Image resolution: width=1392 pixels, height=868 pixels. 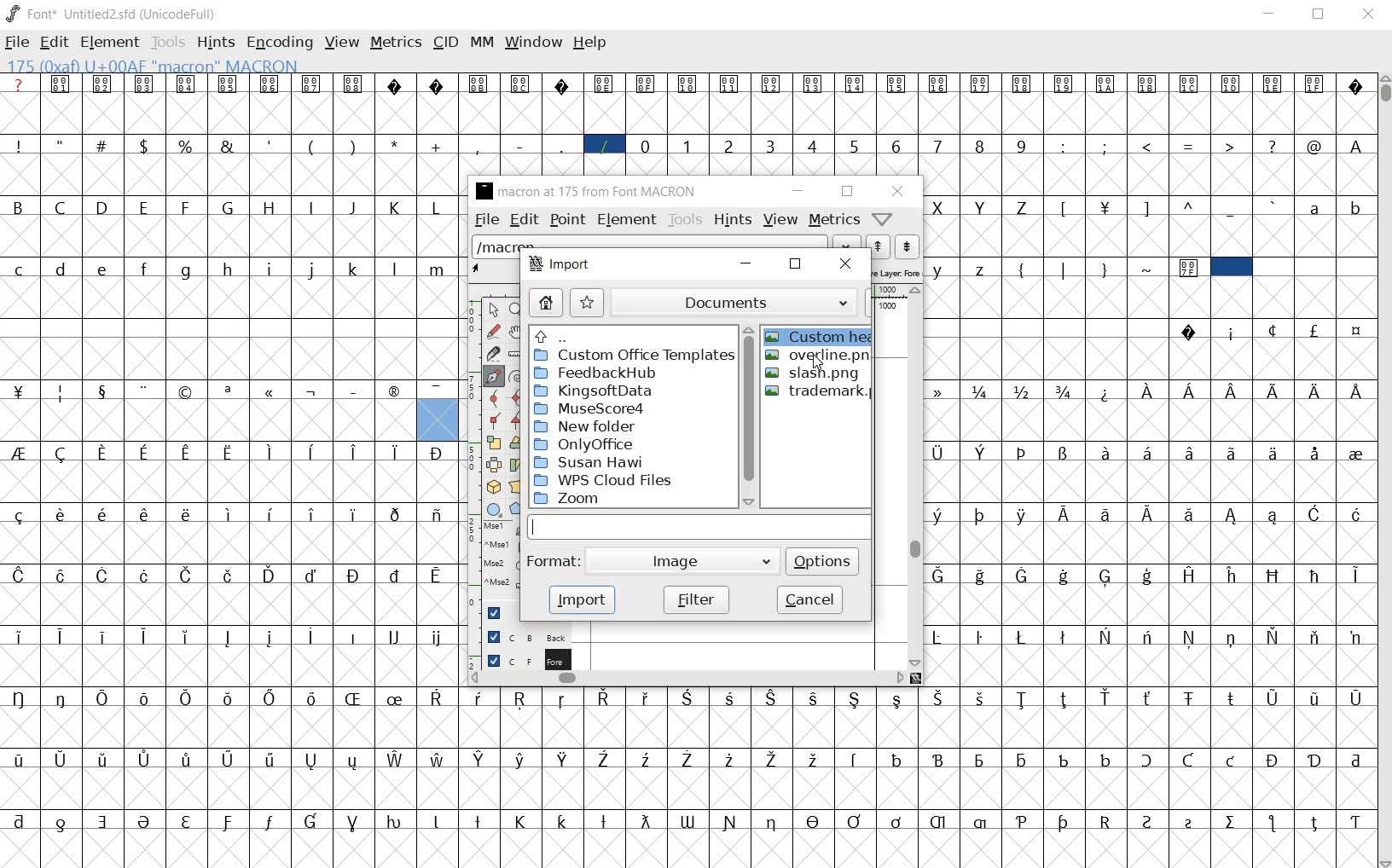 What do you see at coordinates (146, 820) in the screenshot?
I see `Symbol` at bounding box center [146, 820].